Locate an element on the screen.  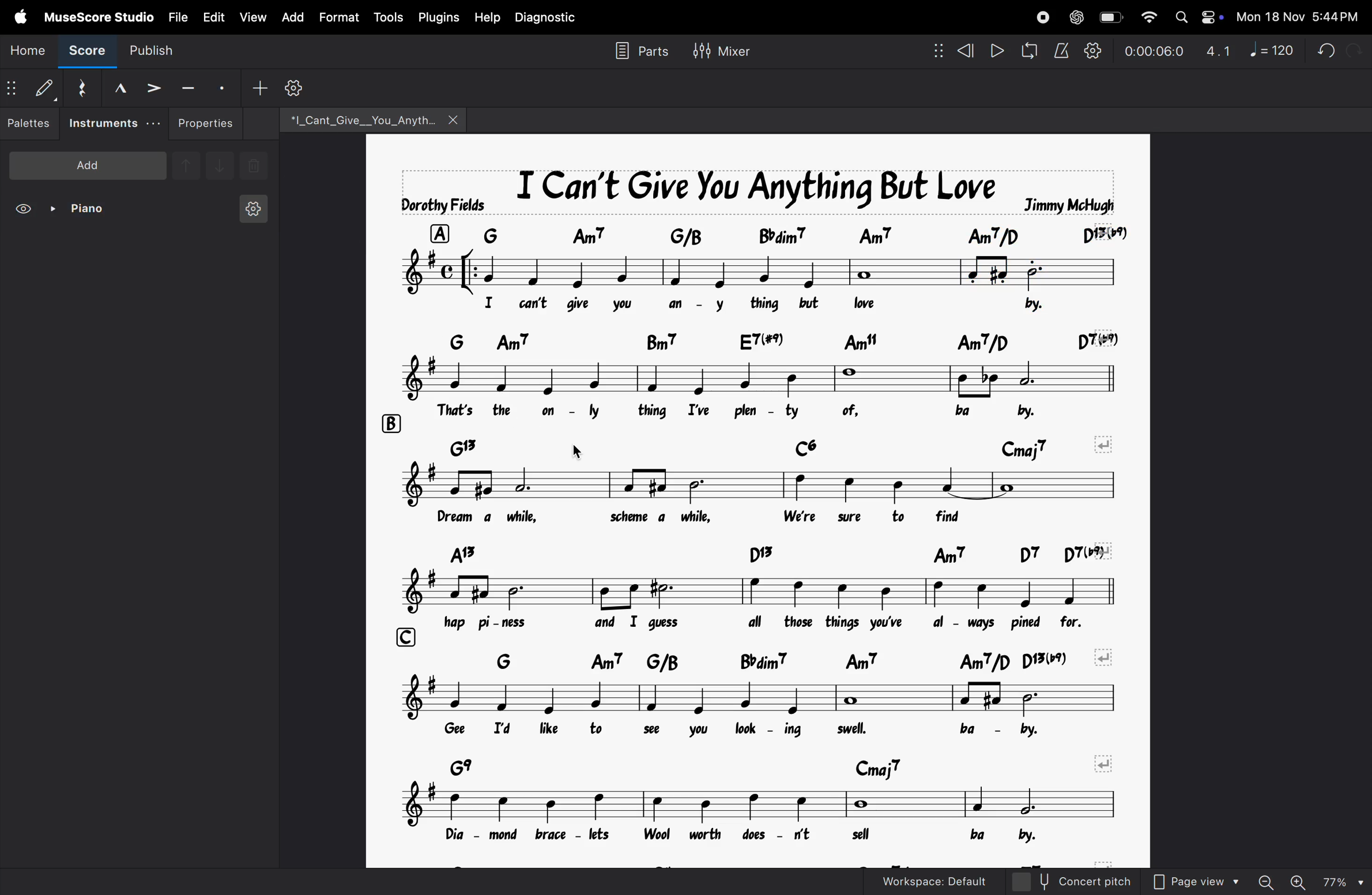
view is located at coordinates (253, 18).